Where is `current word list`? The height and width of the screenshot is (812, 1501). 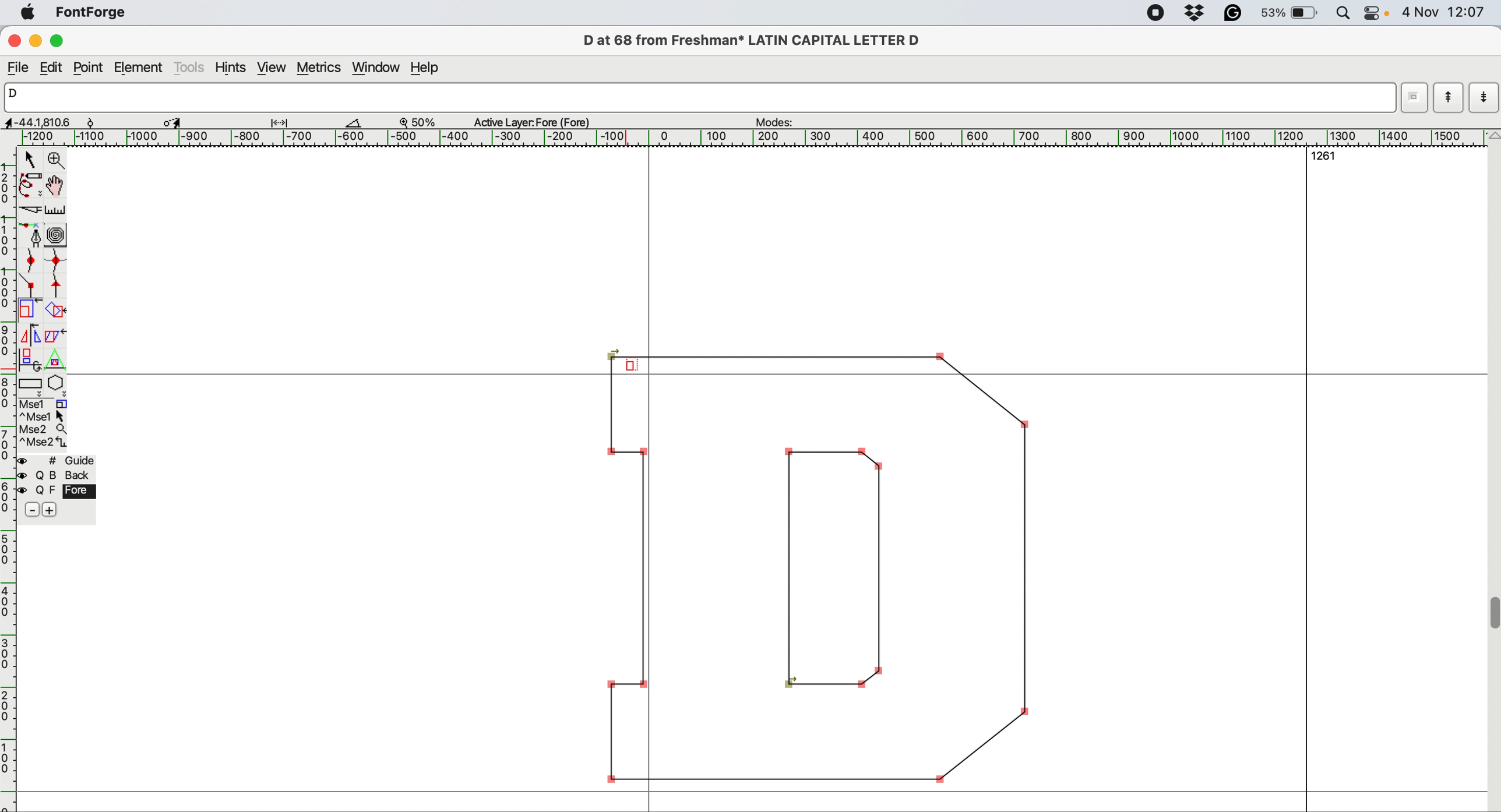
current word list is located at coordinates (1411, 101).